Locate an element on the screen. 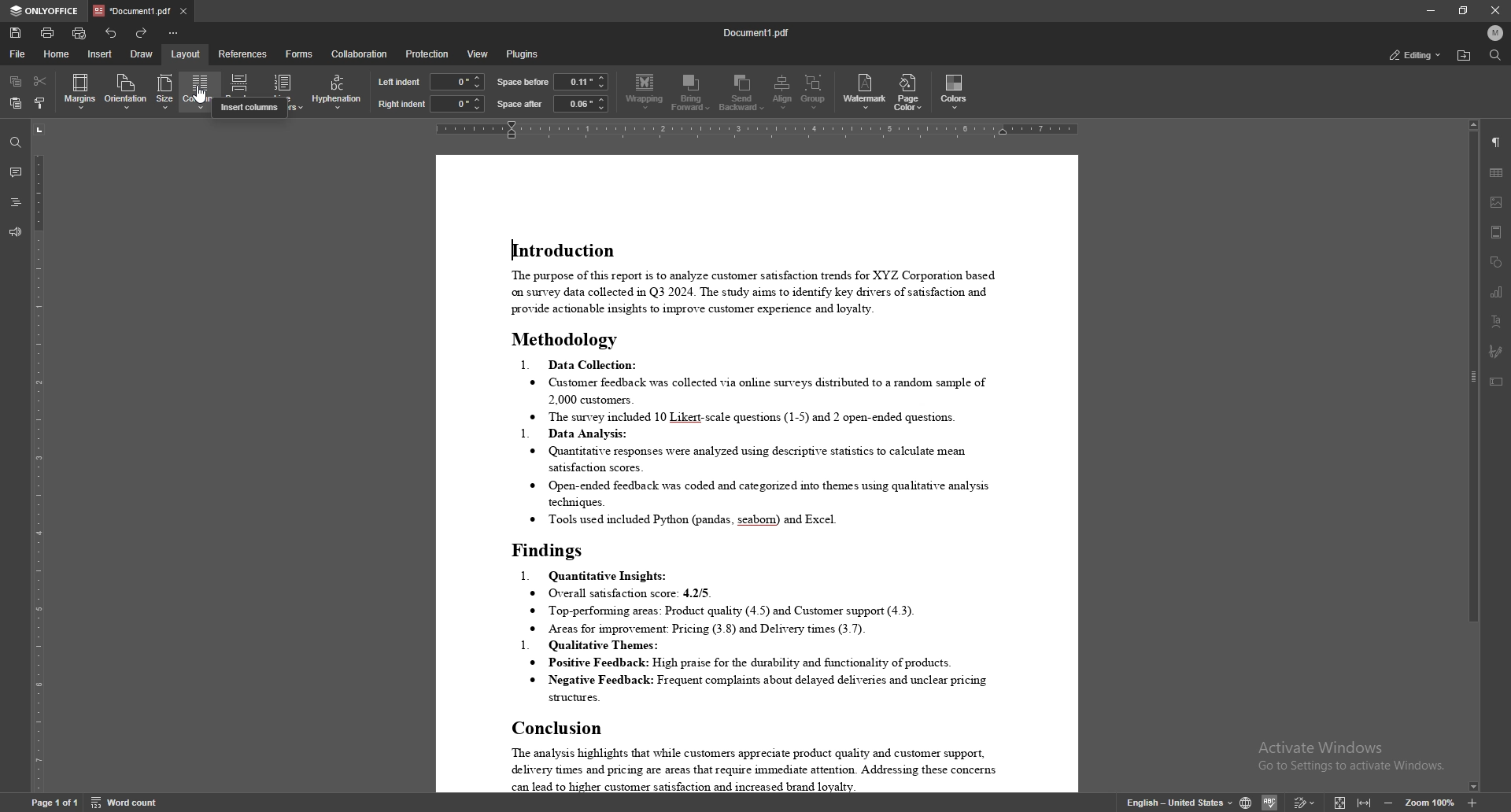 This screenshot has width=1511, height=812. text art is located at coordinates (1497, 322).